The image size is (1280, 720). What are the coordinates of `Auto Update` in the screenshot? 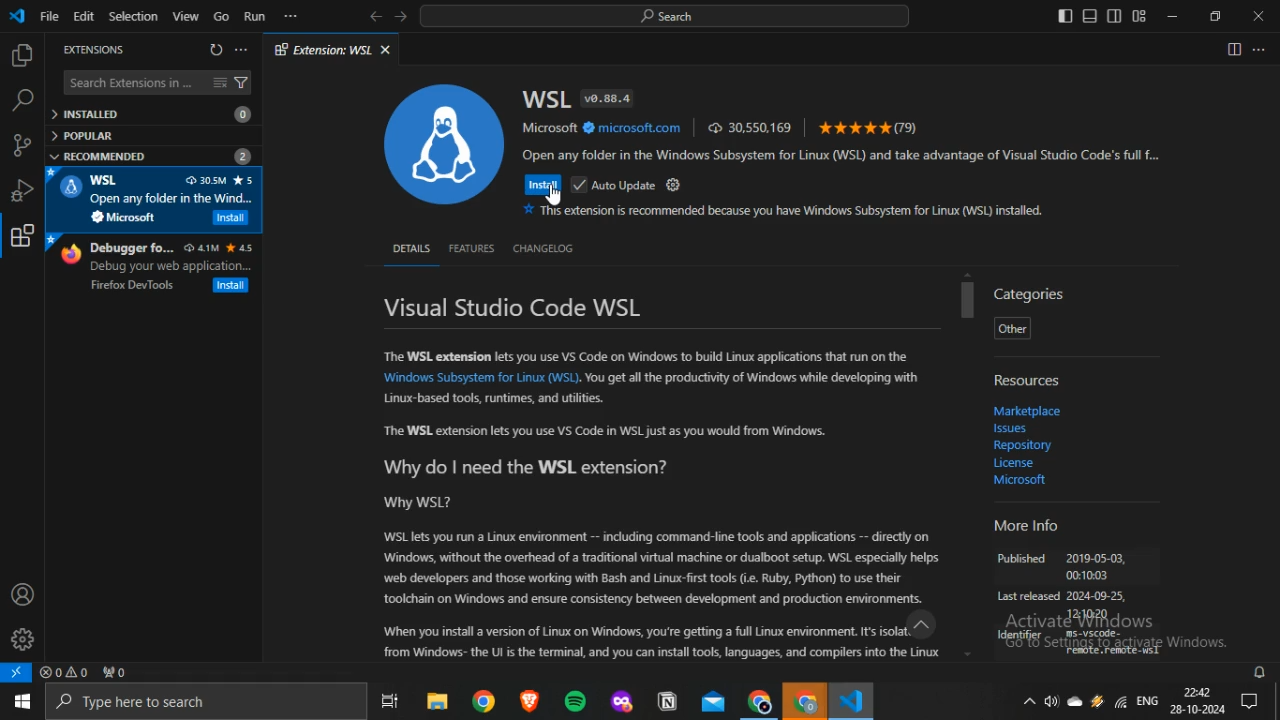 It's located at (614, 185).